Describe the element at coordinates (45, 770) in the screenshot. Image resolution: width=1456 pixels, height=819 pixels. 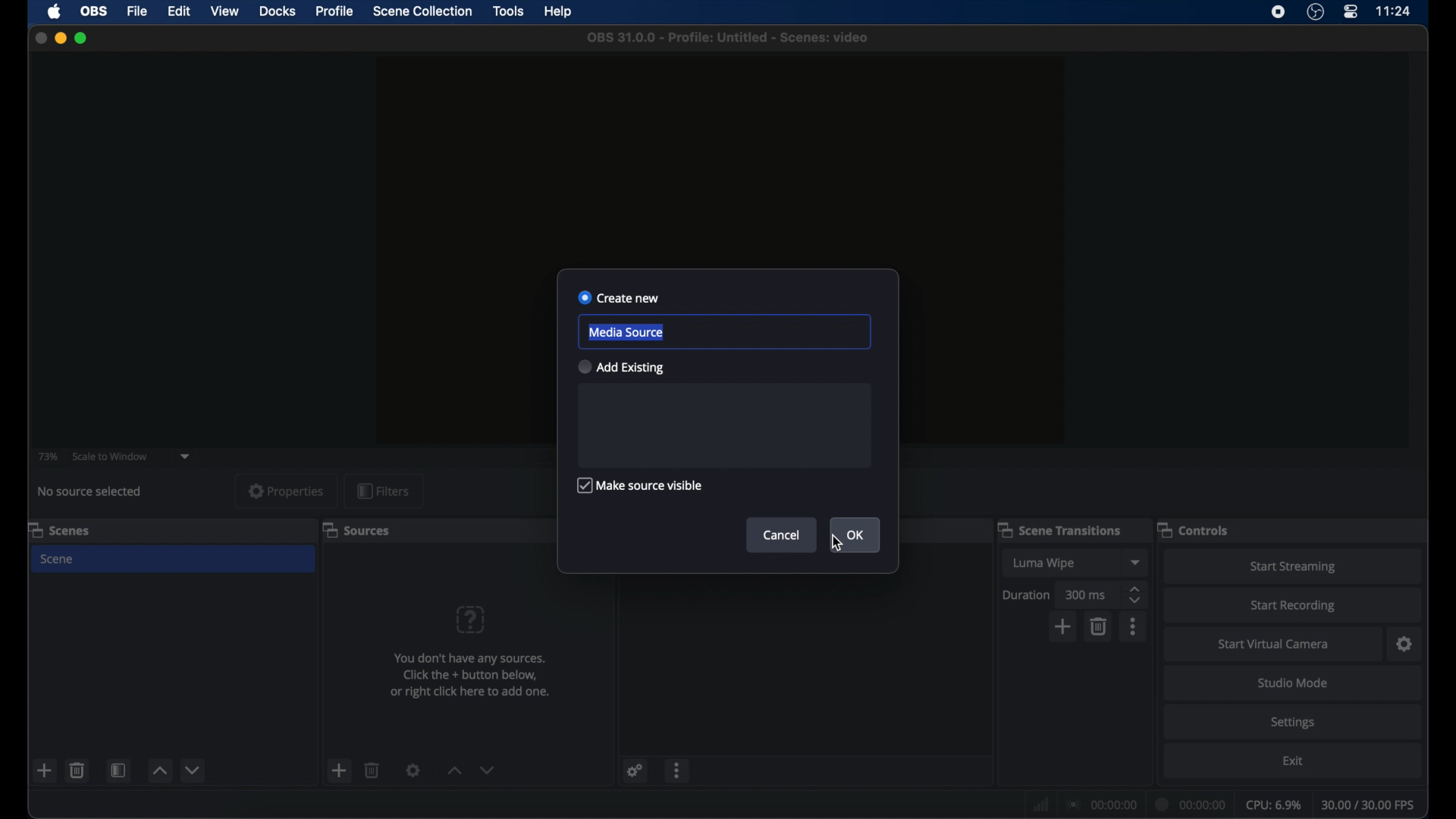
I see `add` at that location.